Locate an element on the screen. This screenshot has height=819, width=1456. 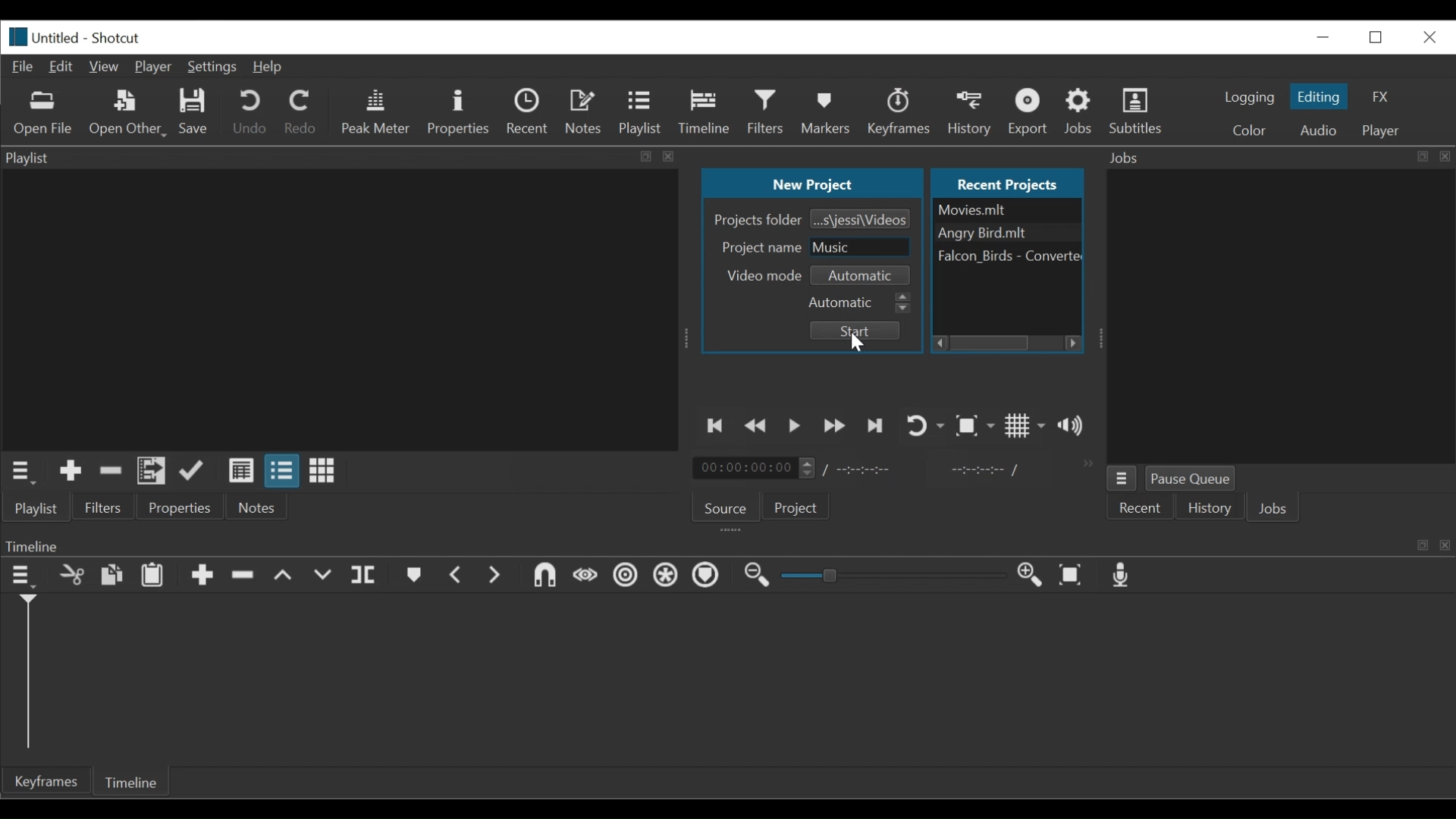
History is located at coordinates (1209, 507).